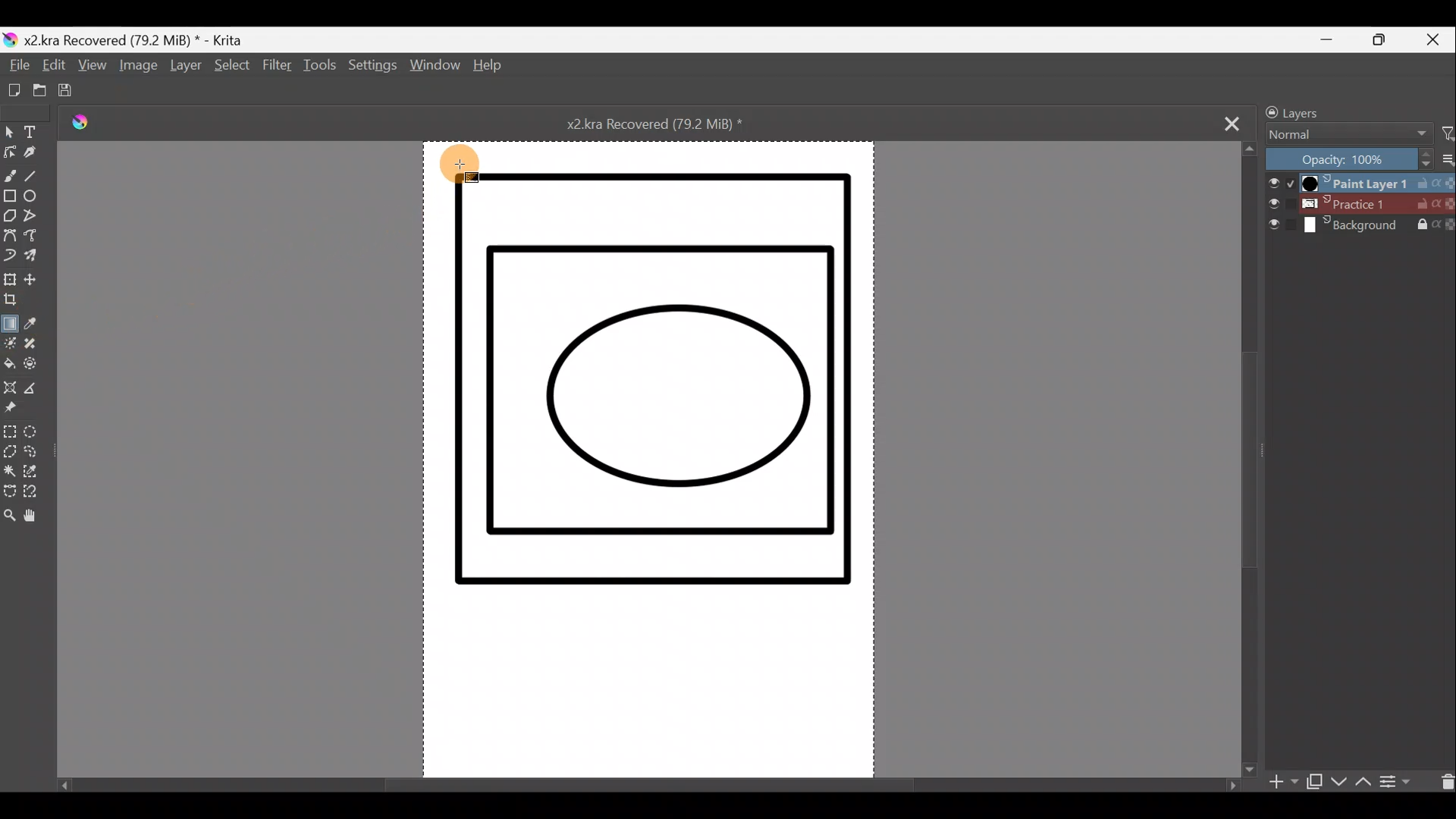 The image size is (1456, 819). I want to click on Layer 3, so click(1360, 227).